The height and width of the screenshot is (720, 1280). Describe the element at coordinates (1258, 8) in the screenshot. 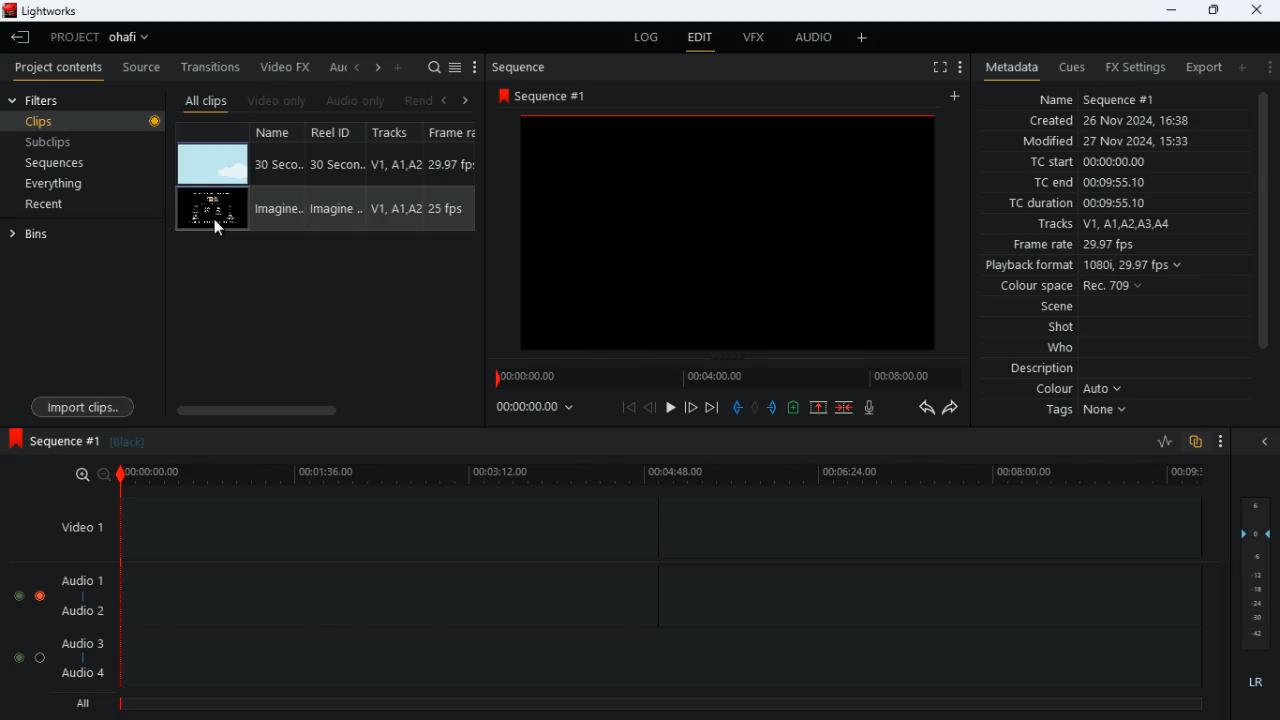

I see `close` at that location.